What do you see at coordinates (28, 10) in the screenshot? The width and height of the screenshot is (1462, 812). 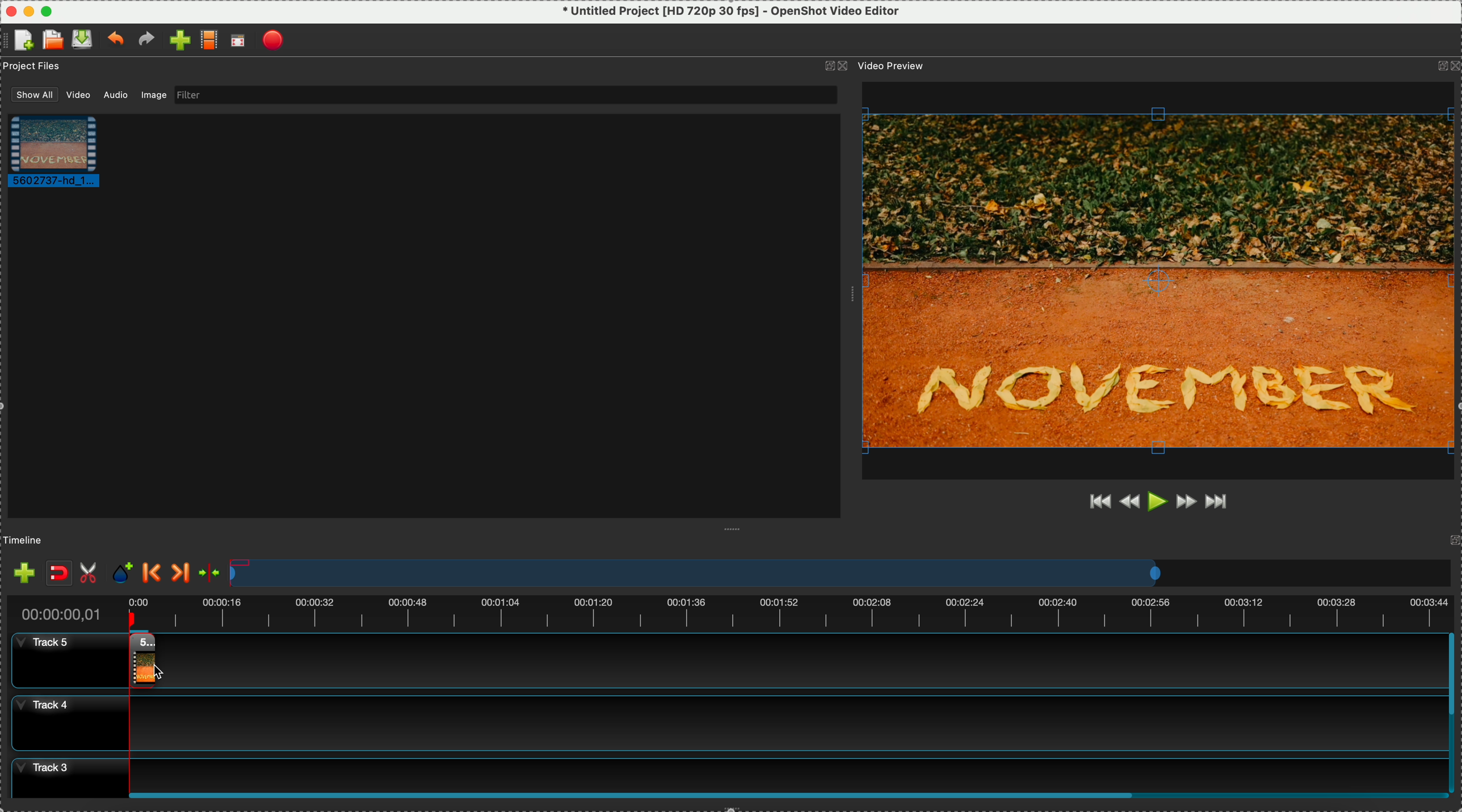 I see `minimize` at bounding box center [28, 10].